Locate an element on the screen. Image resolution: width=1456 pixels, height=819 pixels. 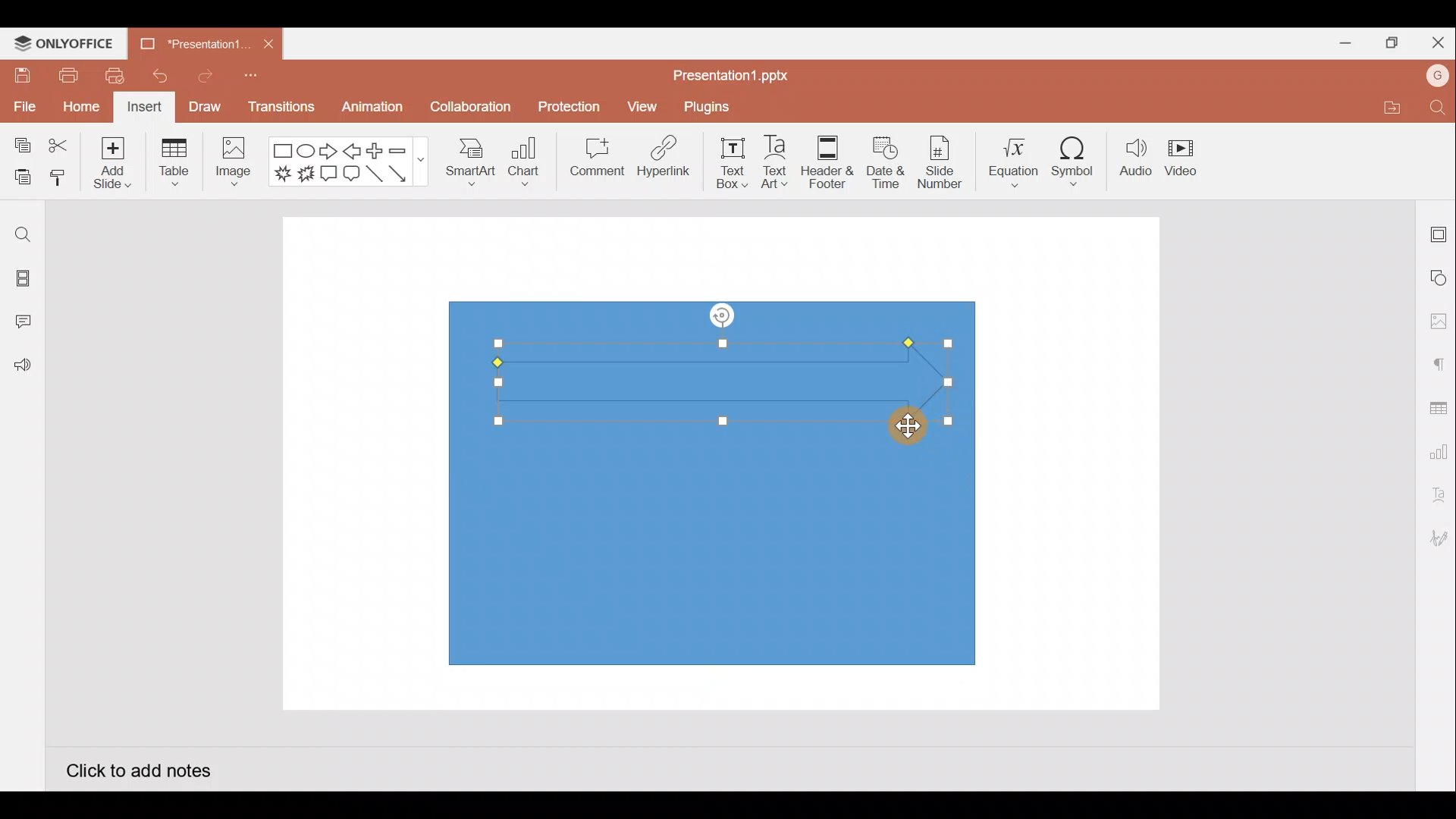
Undo is located at coordinates (154, 76).